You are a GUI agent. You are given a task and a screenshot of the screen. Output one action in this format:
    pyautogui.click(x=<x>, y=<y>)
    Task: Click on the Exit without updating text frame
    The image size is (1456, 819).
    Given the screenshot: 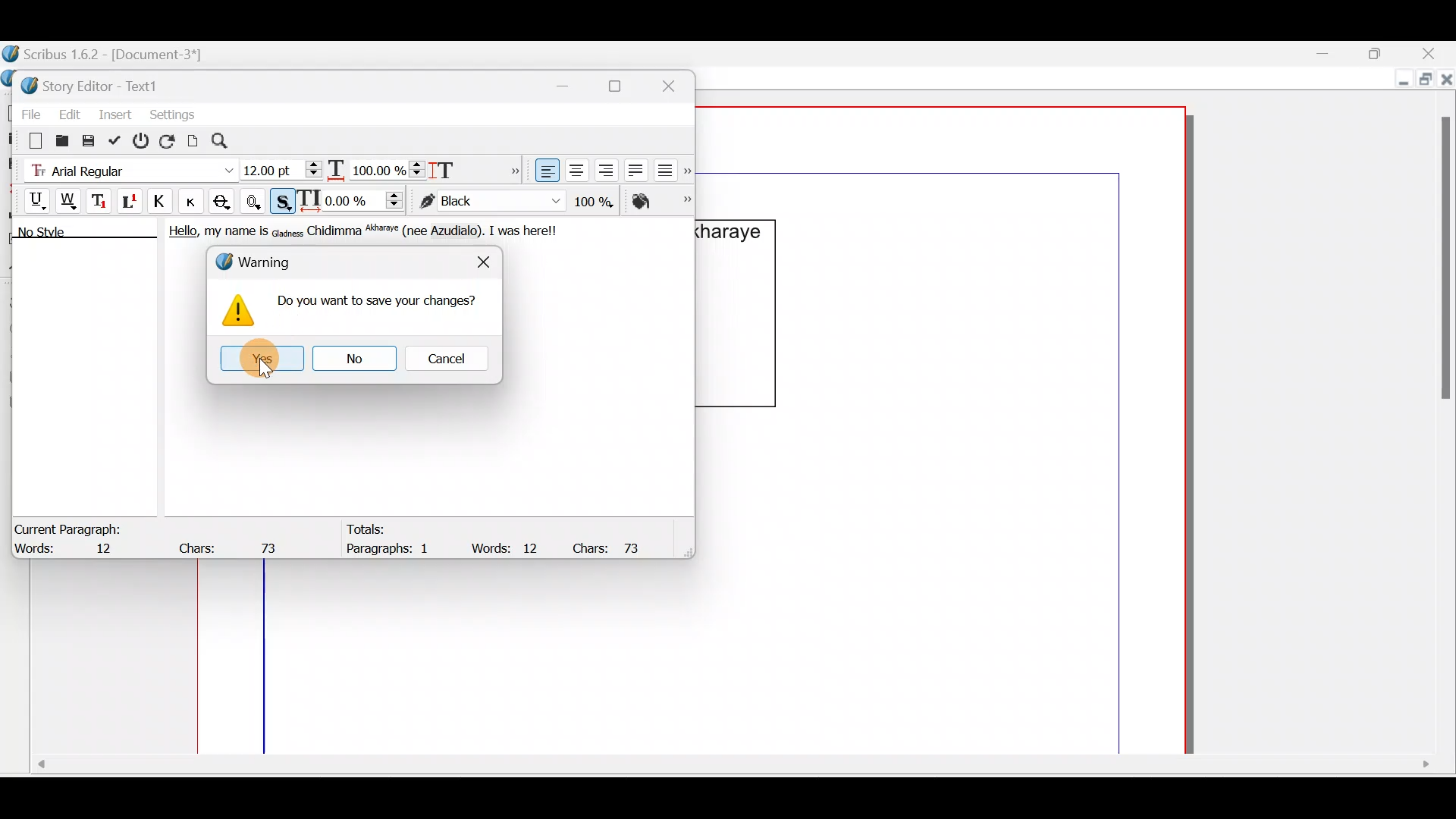 What is the action you would take?
    pyautogui.click(x=143, y=140)
    